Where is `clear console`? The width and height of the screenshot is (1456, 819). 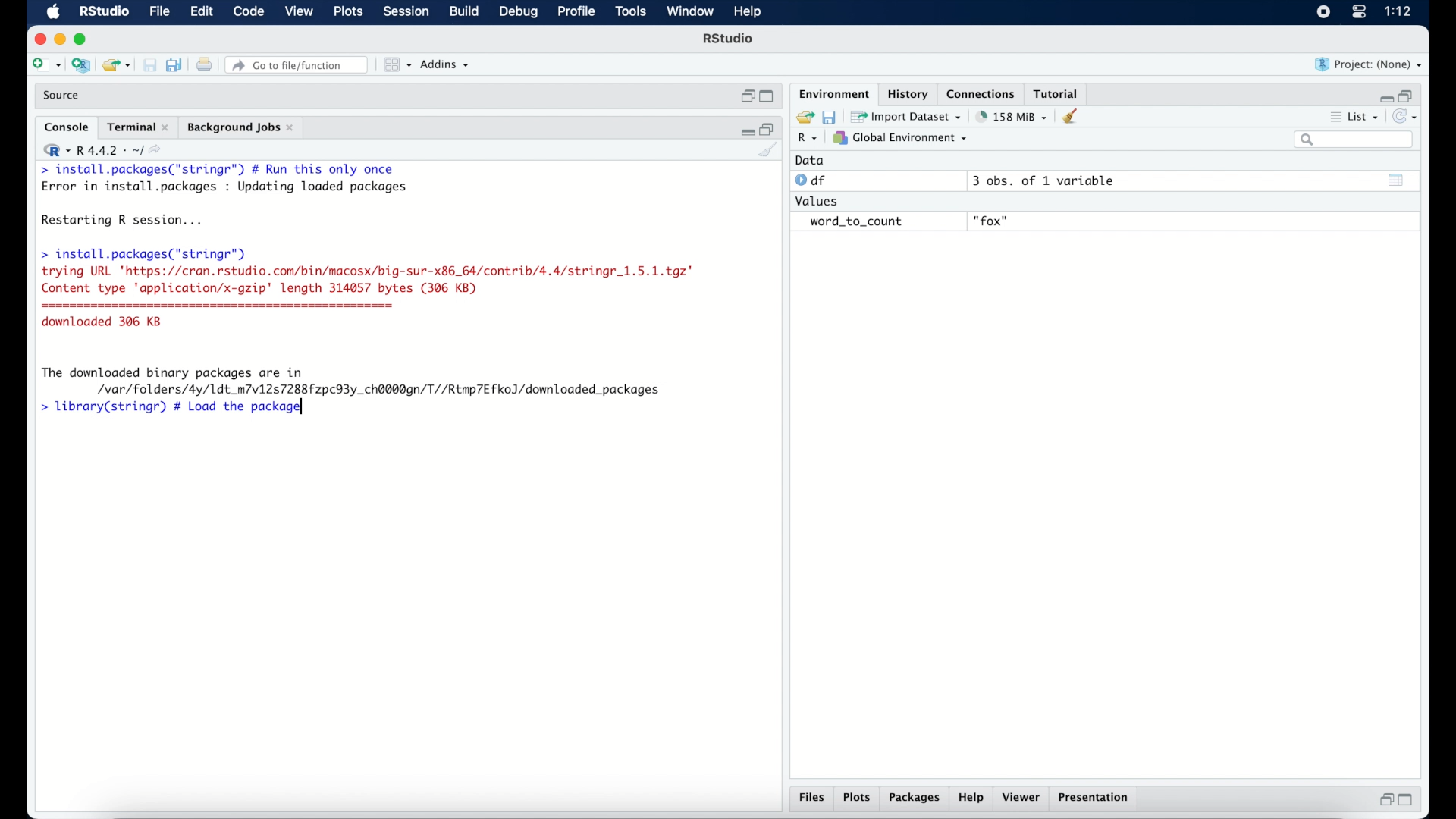
clear console is located at coordinates (769, 151).